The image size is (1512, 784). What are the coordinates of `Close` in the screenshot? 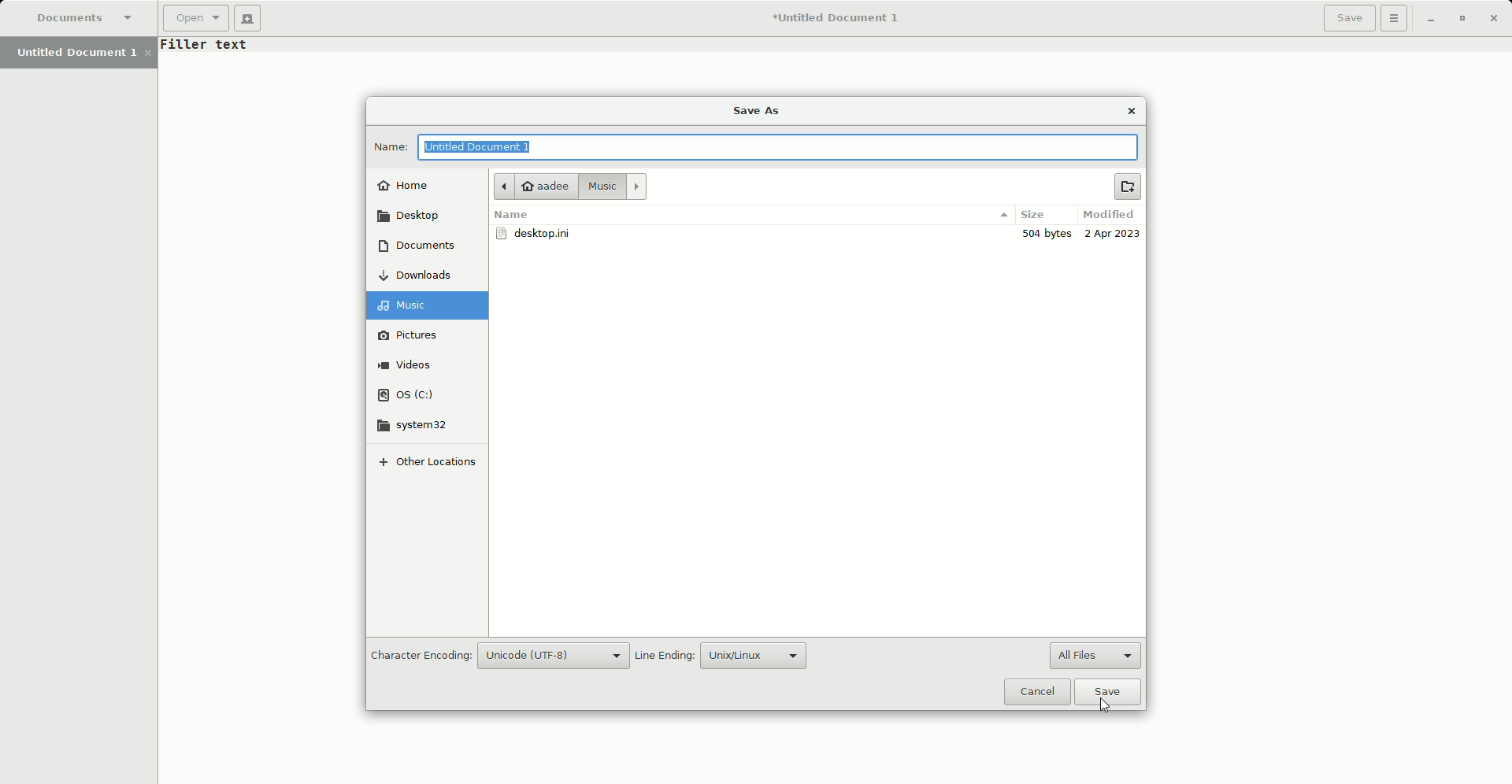 It's located at (1131, 112).